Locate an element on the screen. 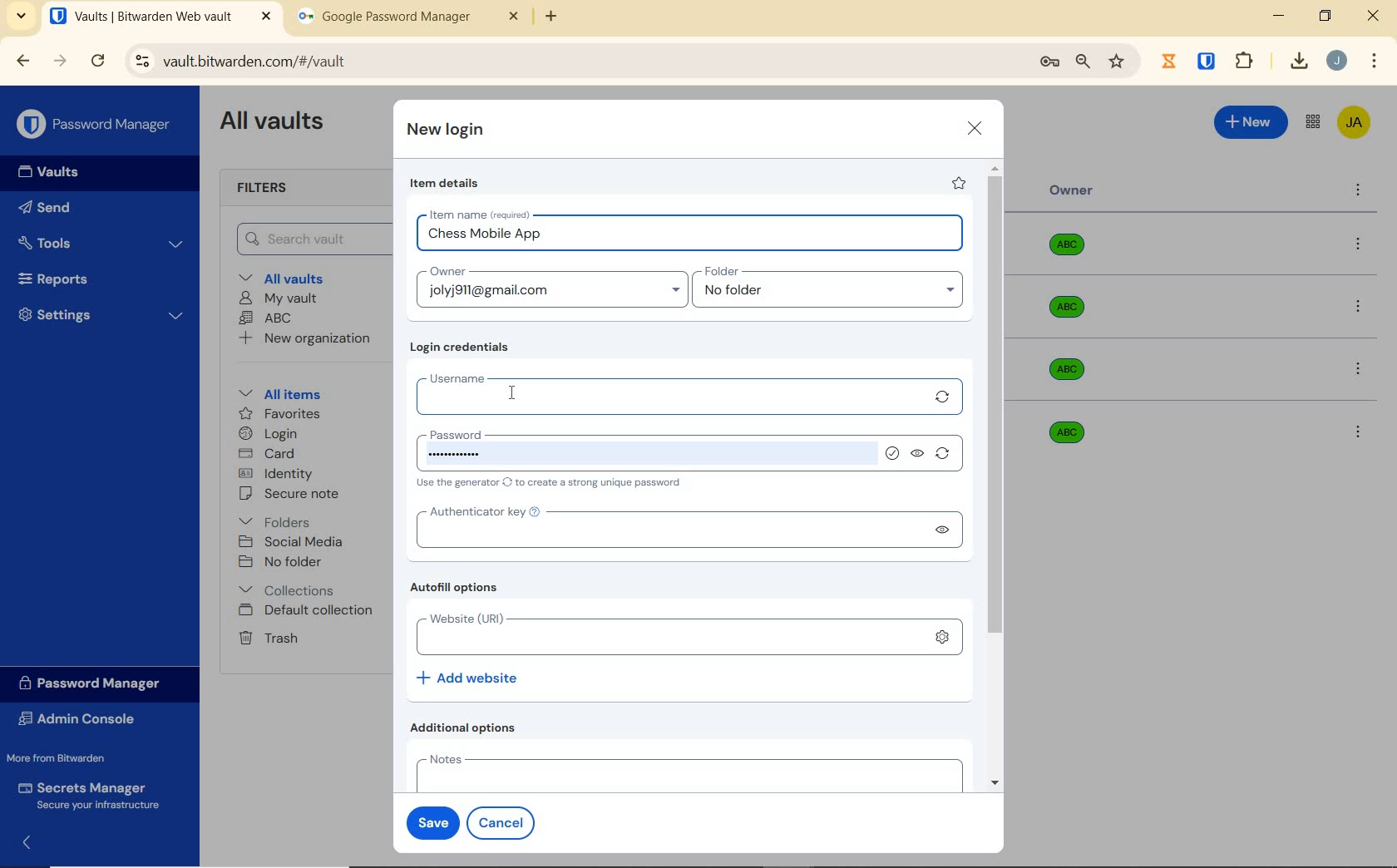  Item name is located at coordinates (481, 215).